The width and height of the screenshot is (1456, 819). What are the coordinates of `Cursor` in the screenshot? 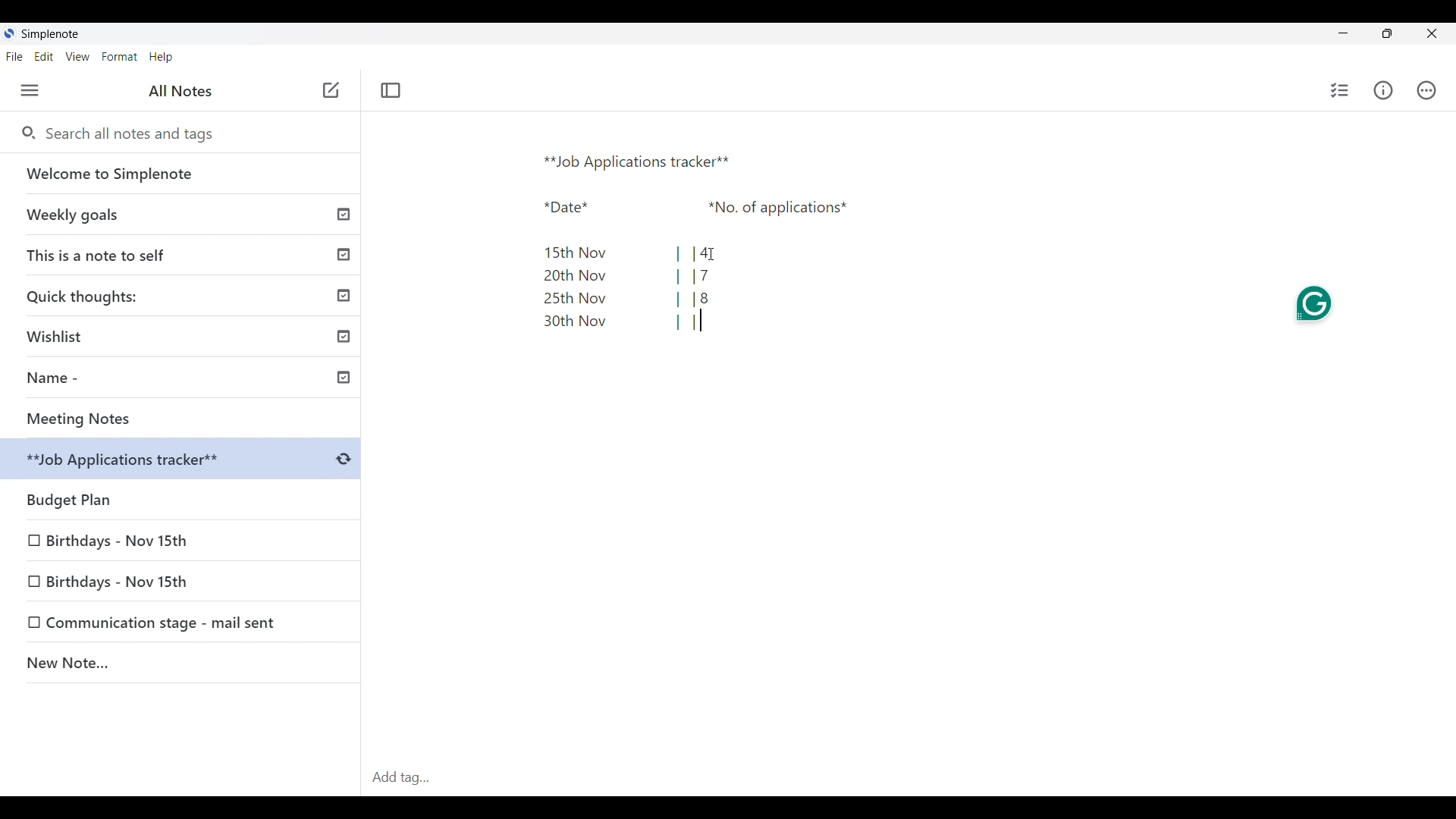 It's located at (713, 253).